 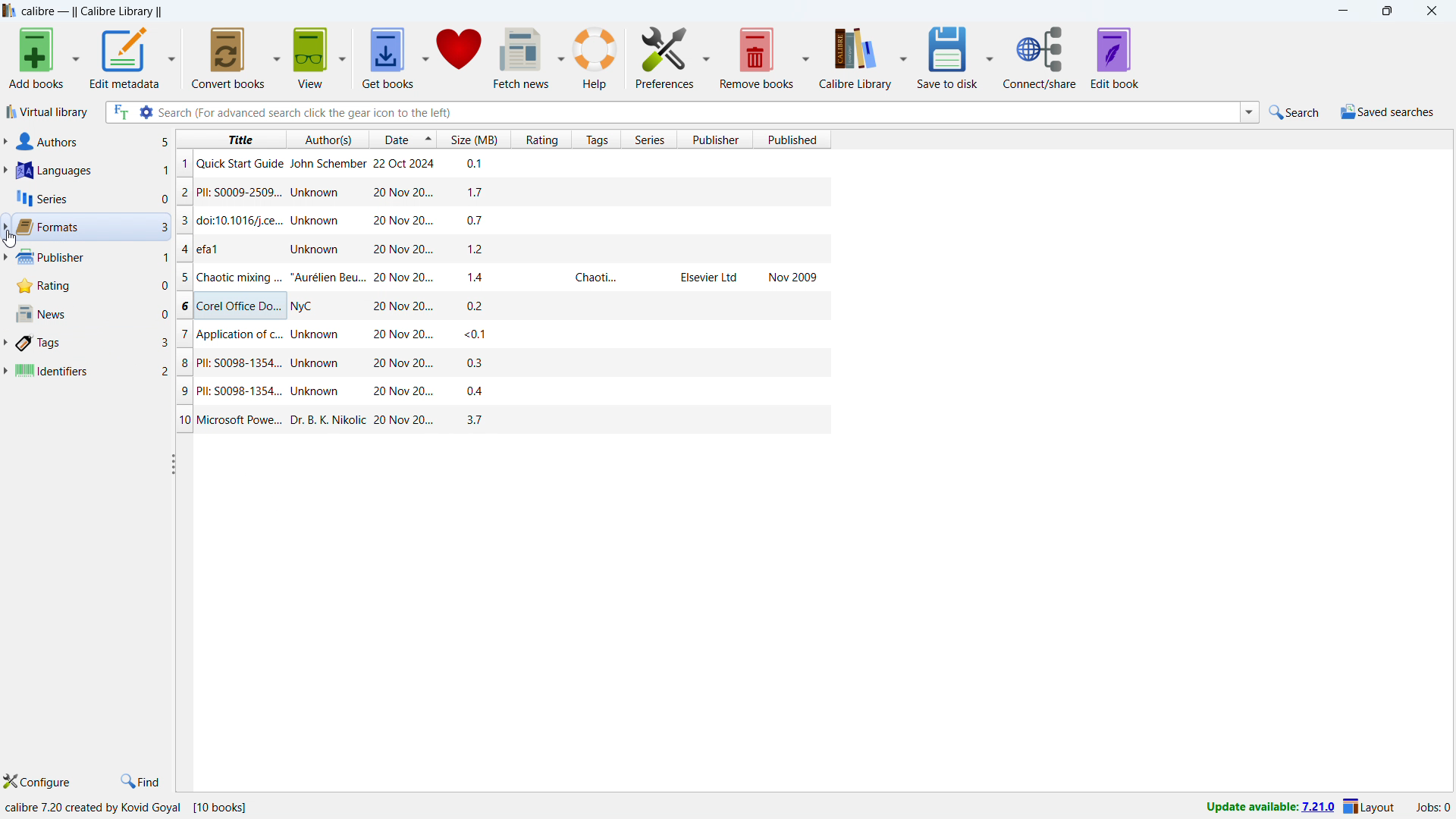 I want to click on title, so click(x=92, y=11).